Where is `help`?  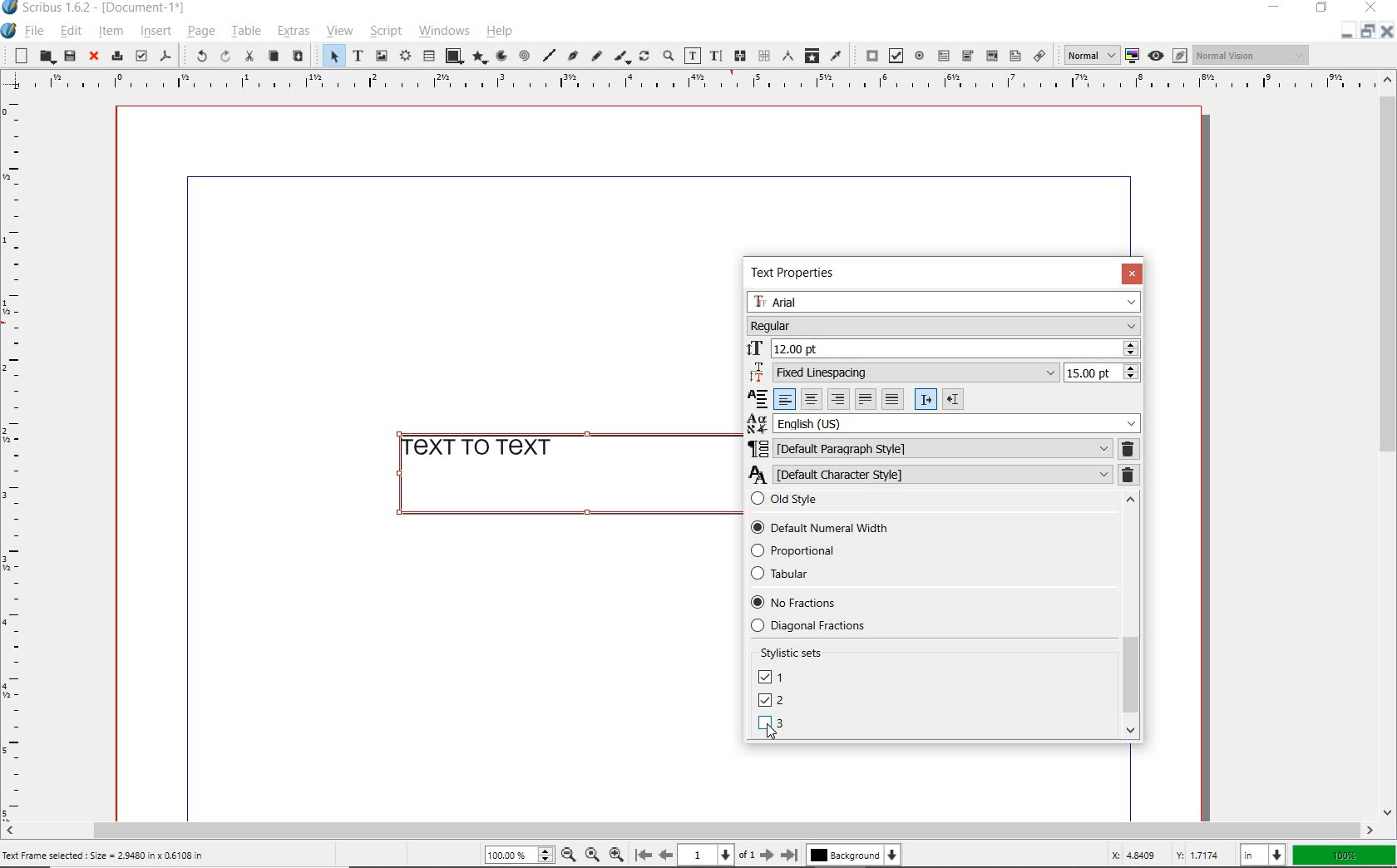 help is located at coordinates (503, 31).